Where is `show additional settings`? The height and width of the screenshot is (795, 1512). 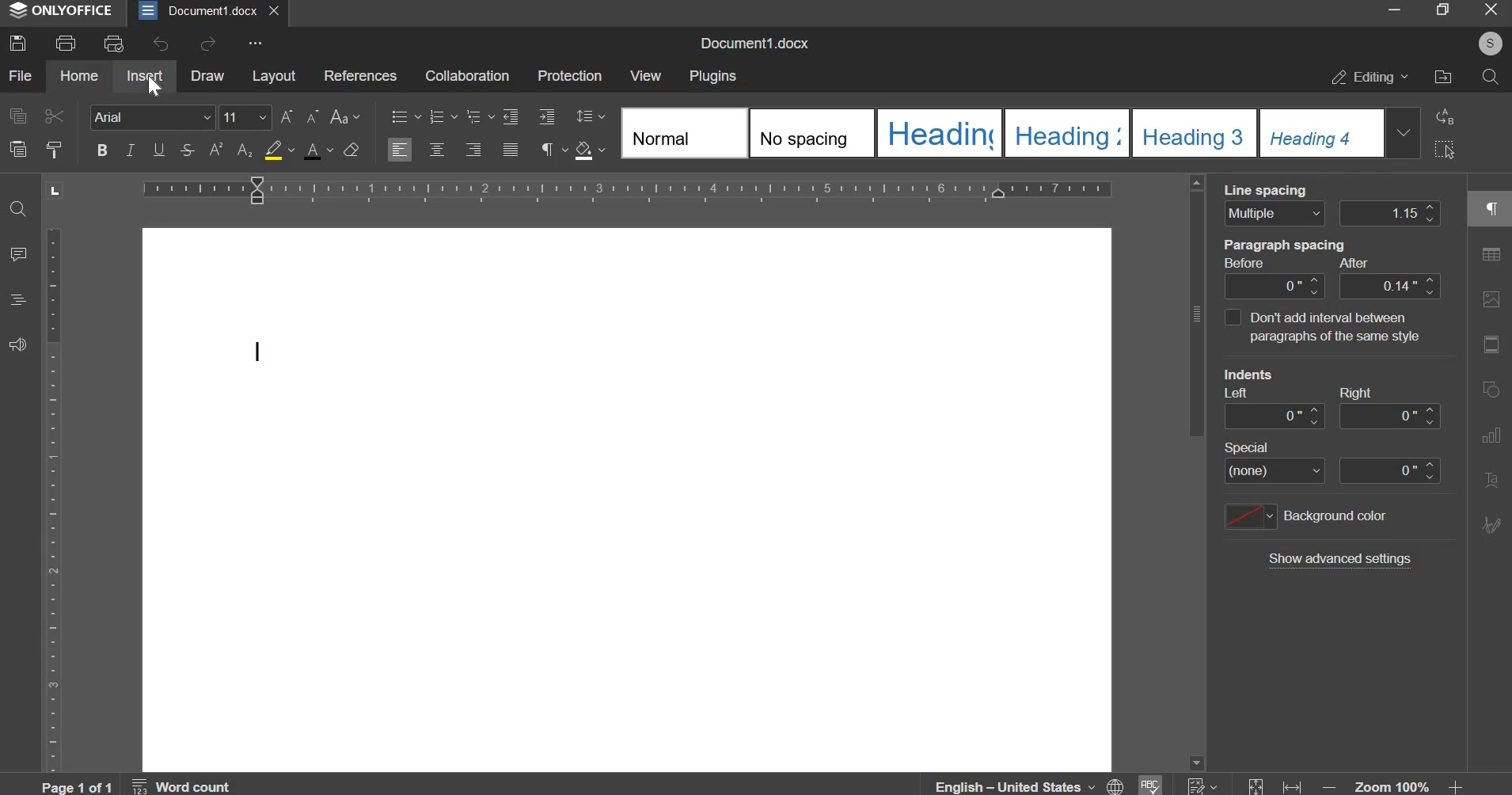
show additional settings is located at coordinates (1339, 559).